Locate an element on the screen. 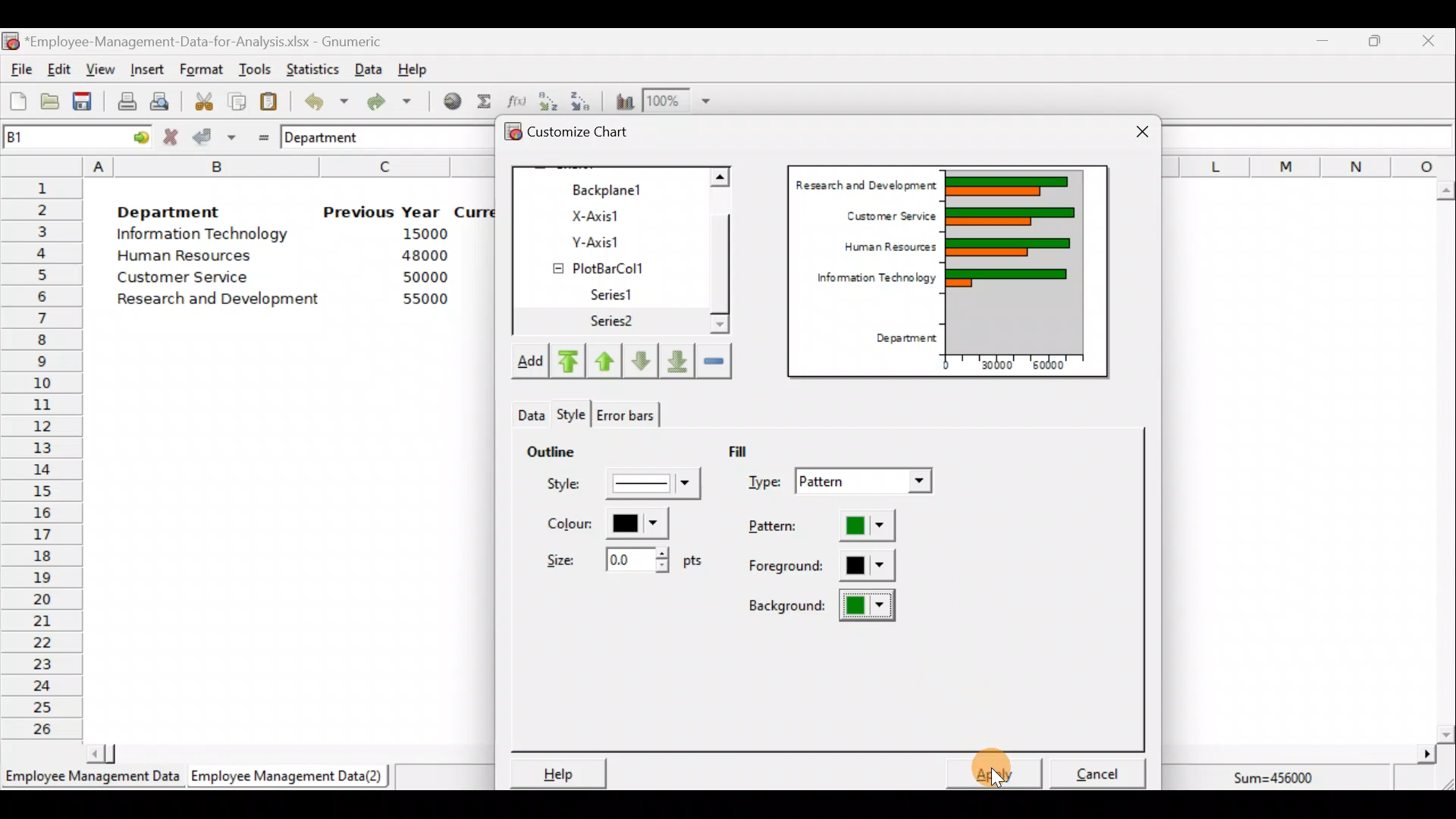 This screenshot has width=1456, height=819. Add is located at coordinates (529, 364).